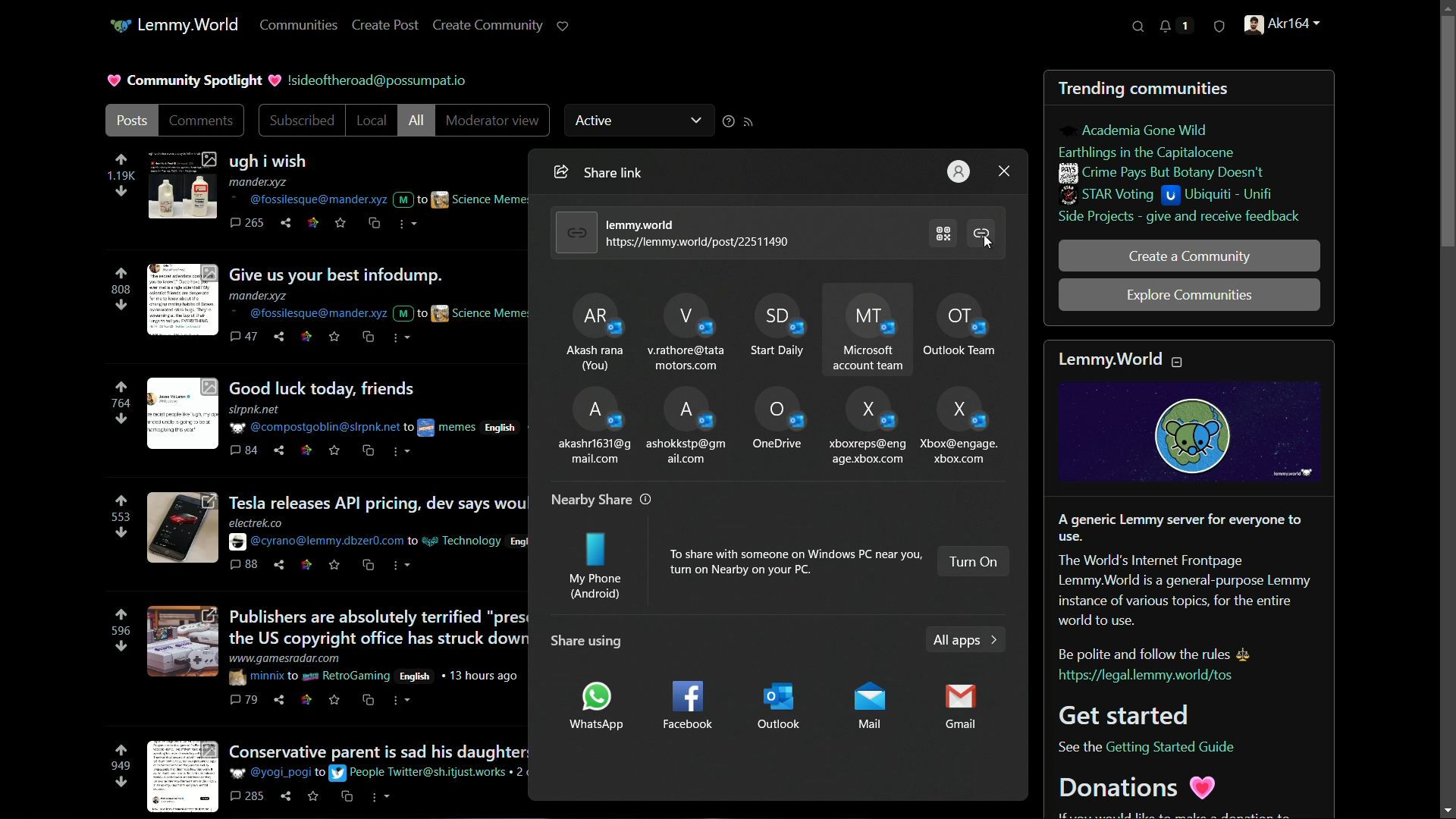 The height and width of the screenshot is (819, 1456). Describe the element at coordinates (1186, 586) in the screenshot. I see `A generic Lemmy server for everyone to use. The World's Internet Frontpage Lemmy.World is a general-purpose Lemmy instance of various topics, for the entire world to use. Be polite and follow the rules.` at that location.